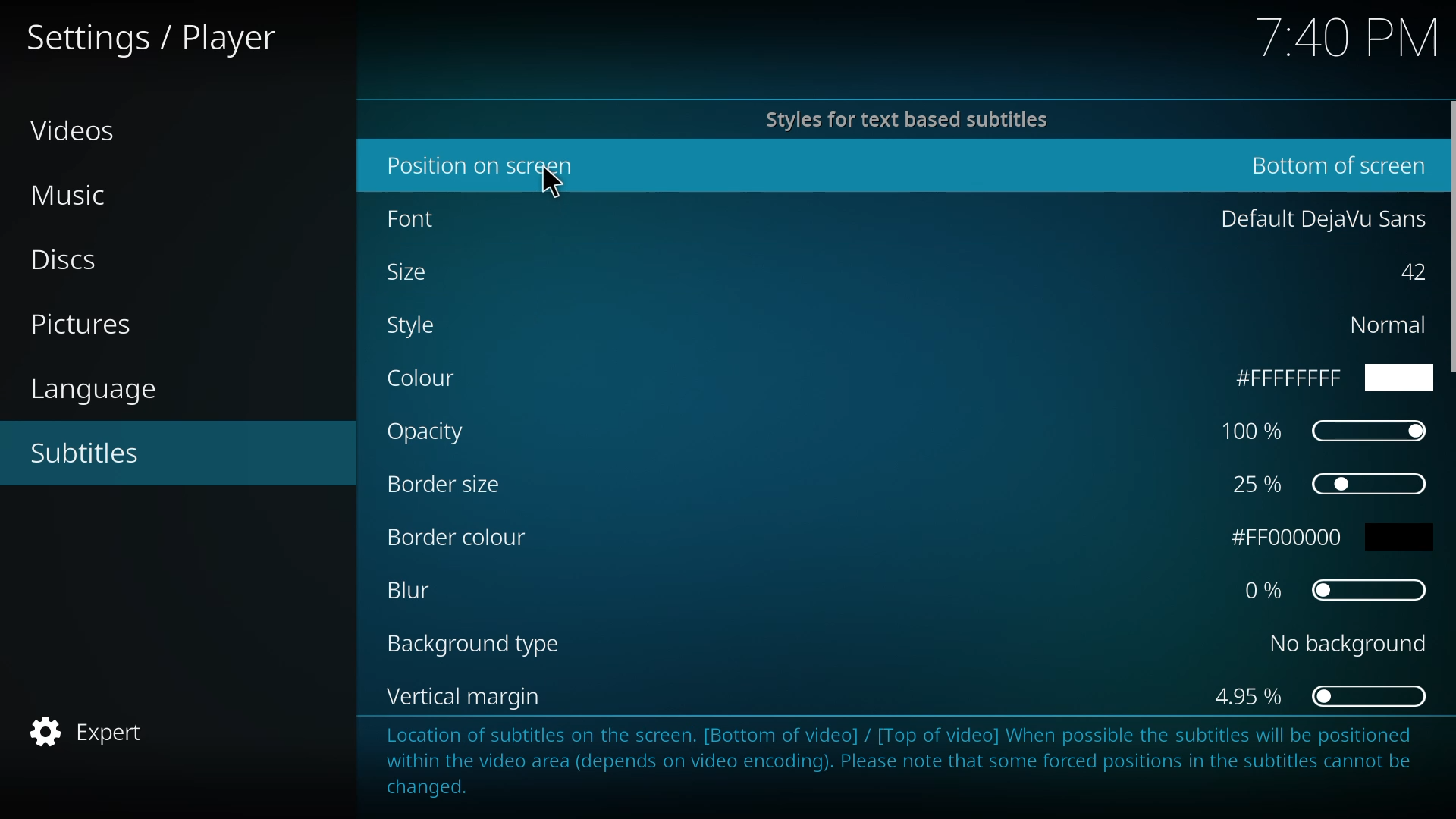 The image size is (1456, 819). Describe the element at coordinates (417, 325) in the screenshot. I see `style` at that location.